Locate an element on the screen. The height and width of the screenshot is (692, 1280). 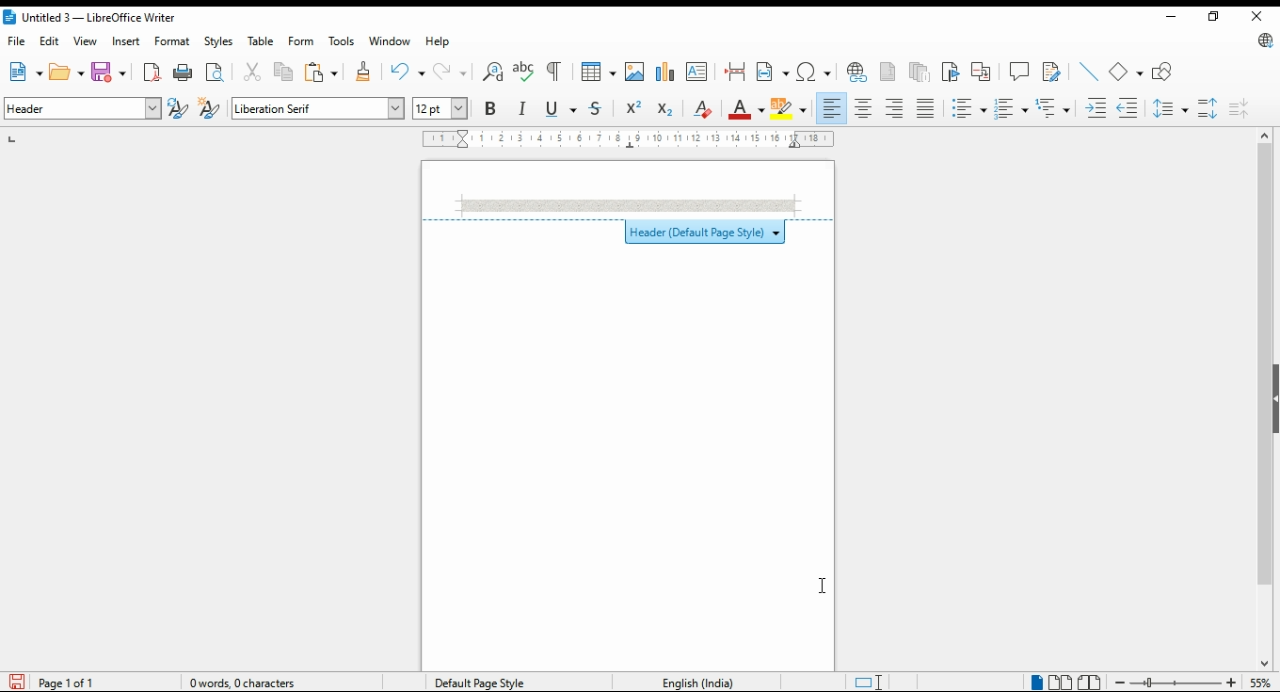
multipage view is located at coordinates (1062, 683).